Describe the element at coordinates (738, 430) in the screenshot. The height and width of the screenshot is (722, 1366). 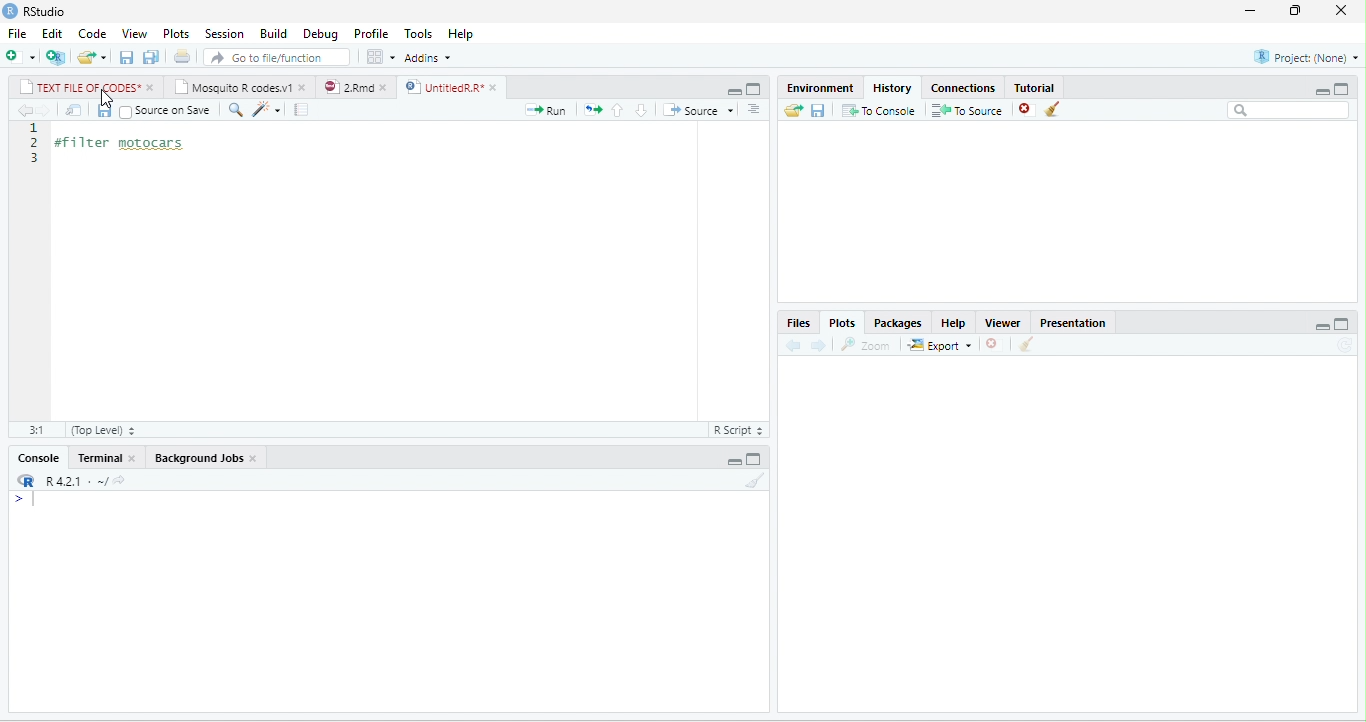
I see `R script` at that location.